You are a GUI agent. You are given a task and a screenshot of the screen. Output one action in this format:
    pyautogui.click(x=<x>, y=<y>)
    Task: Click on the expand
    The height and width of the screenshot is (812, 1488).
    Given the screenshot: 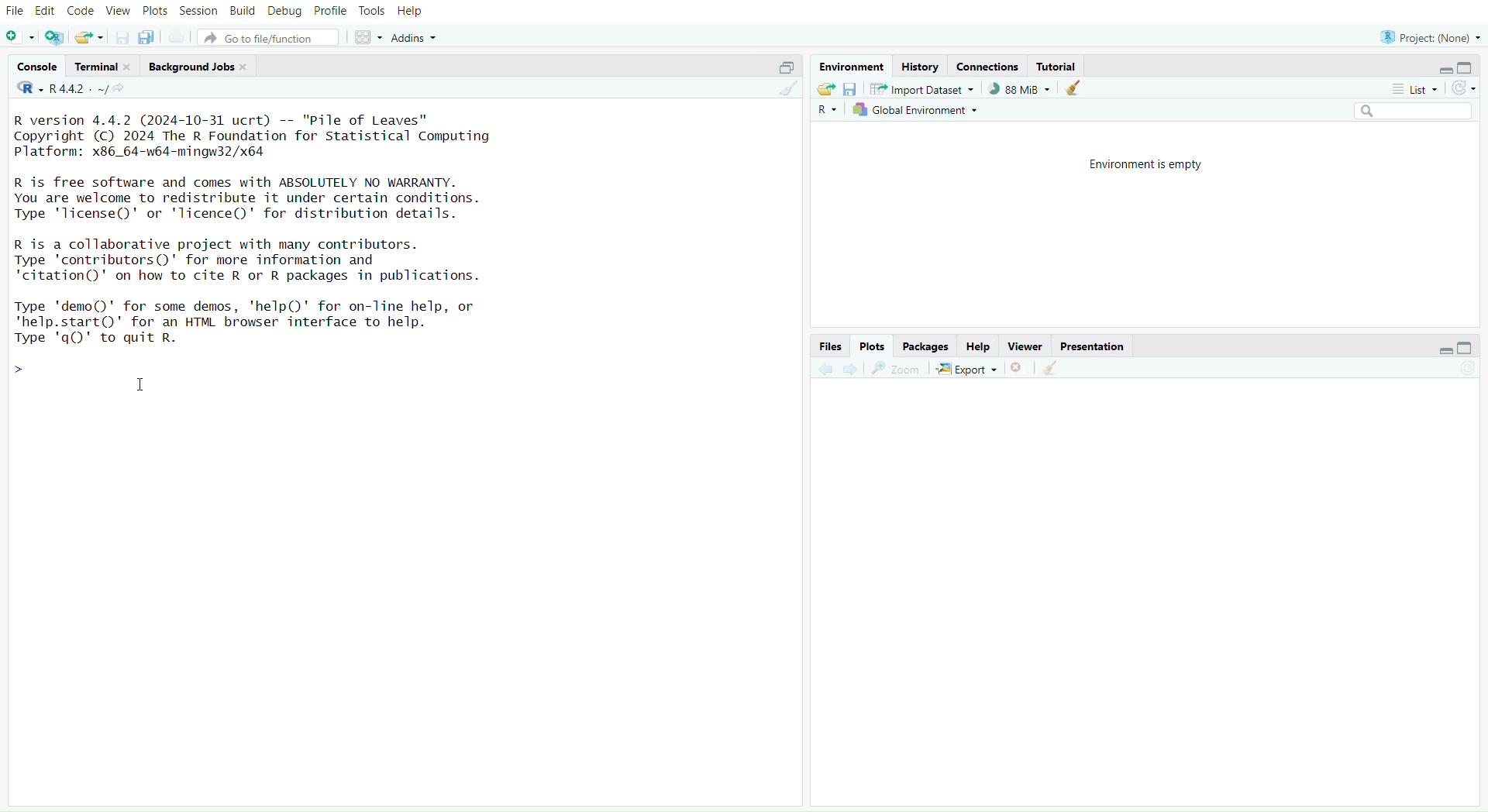 What is the action you would take?
    pyautogui.click(x=1438, y=352)
    